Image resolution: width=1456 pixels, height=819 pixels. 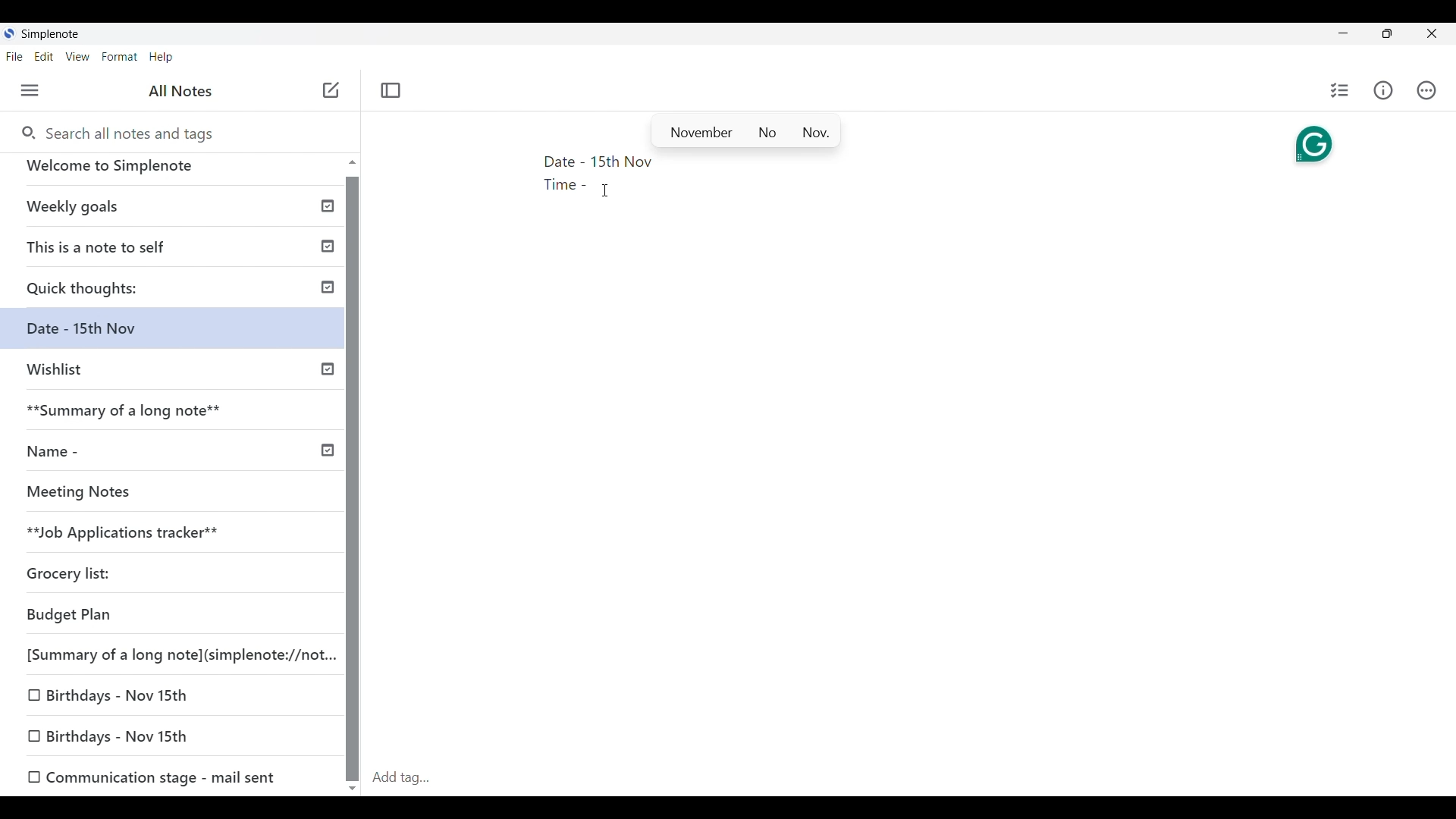 What do you see at coordinates (168, 535) in the screenshot?
I see `Unpublished note` at bounding box center [168, 535].